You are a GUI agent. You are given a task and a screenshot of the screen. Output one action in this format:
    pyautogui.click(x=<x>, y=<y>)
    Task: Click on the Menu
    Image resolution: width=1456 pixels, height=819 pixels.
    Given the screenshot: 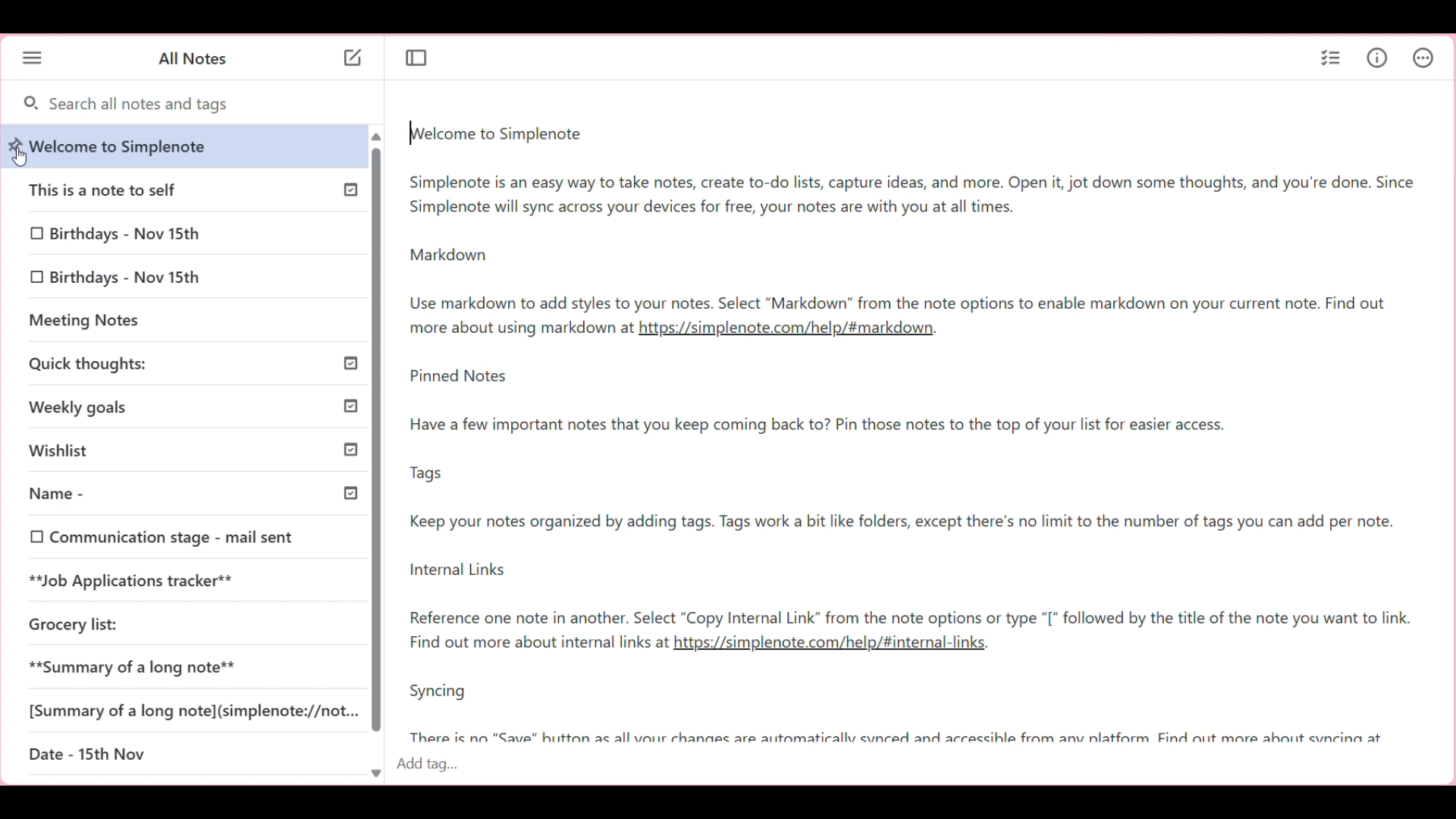 What is the action you would take?
    pyautogui.click(x=33, y=59)
    